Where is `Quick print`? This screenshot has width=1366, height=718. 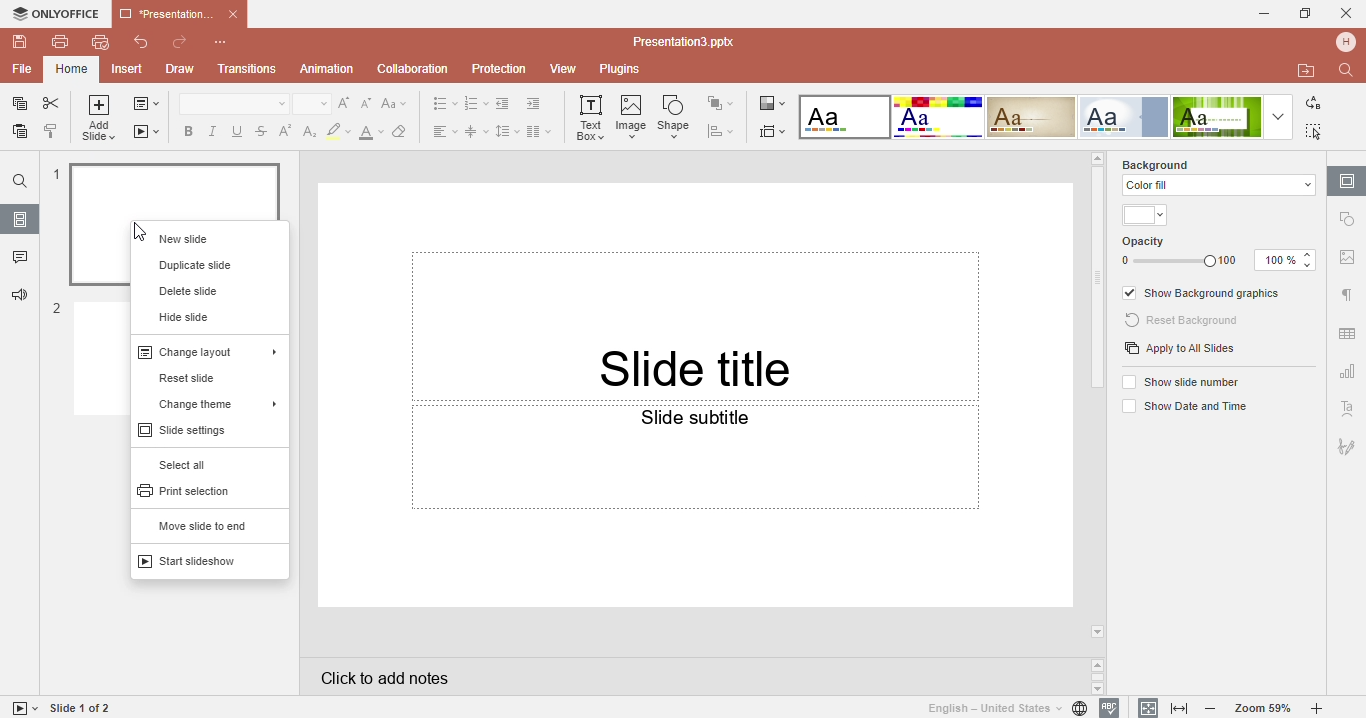
Quick print is located at coordinates (99, 45).